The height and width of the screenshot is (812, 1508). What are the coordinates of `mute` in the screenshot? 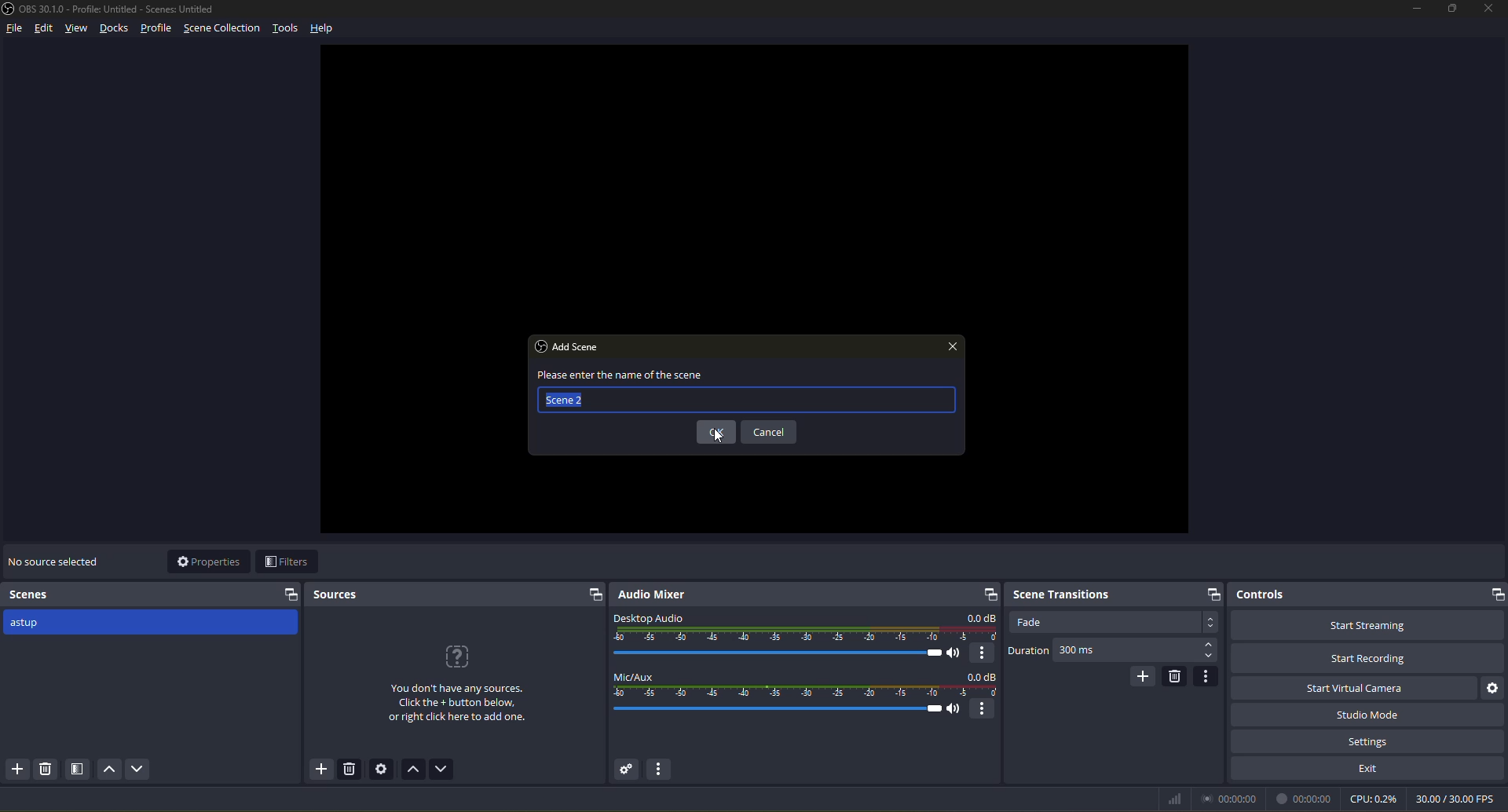 It's located at (953, 653).